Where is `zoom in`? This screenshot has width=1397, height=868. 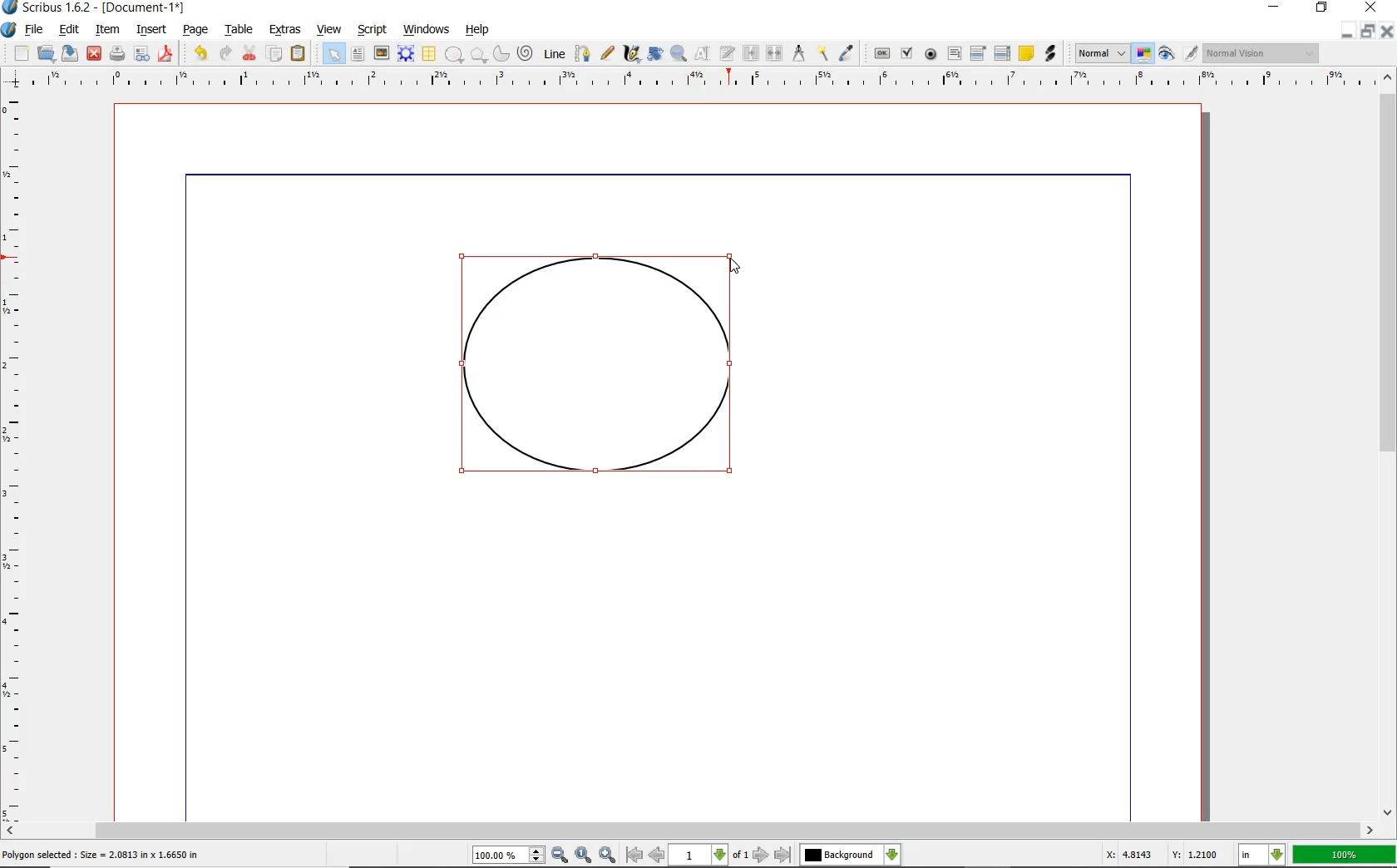 zoom in is located at coordinates (609, 854).